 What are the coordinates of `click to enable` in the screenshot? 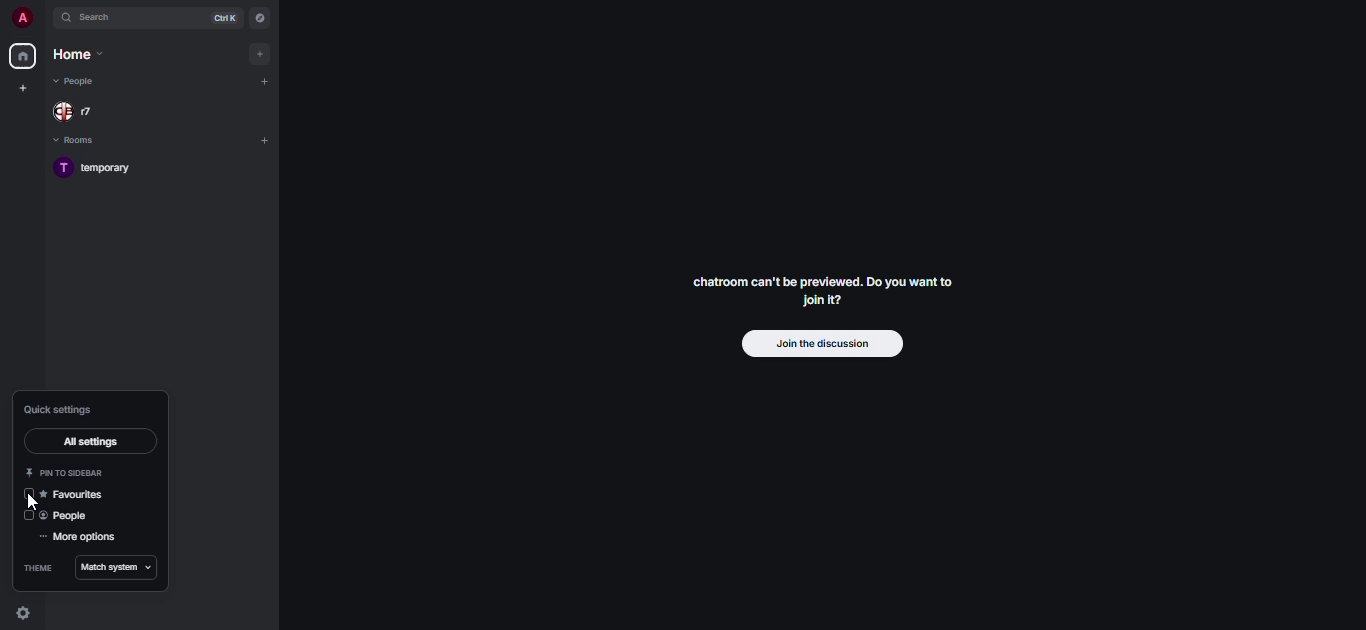 It's located at (28, 517).